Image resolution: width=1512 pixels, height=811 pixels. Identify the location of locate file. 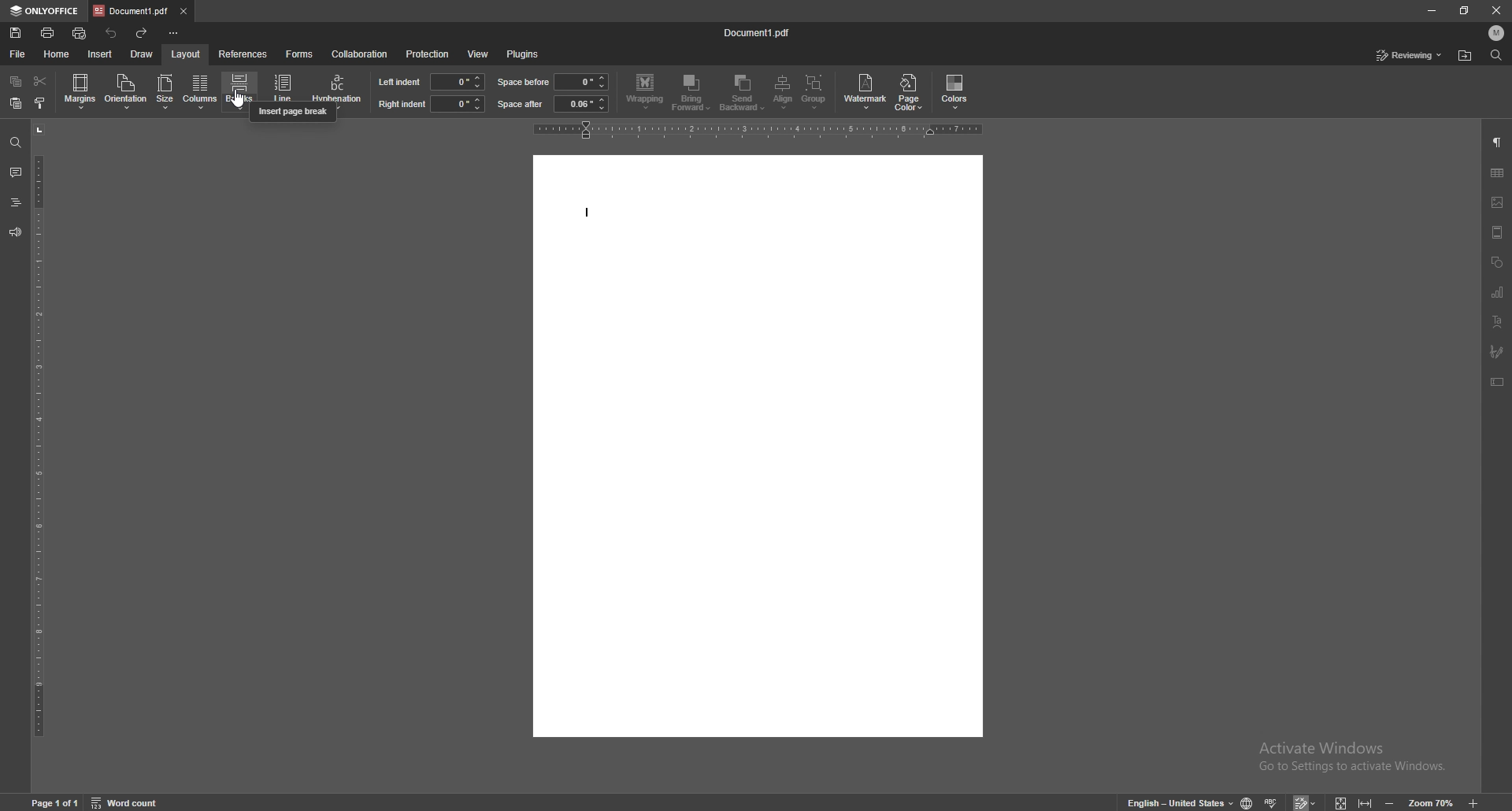
(1466, 56).